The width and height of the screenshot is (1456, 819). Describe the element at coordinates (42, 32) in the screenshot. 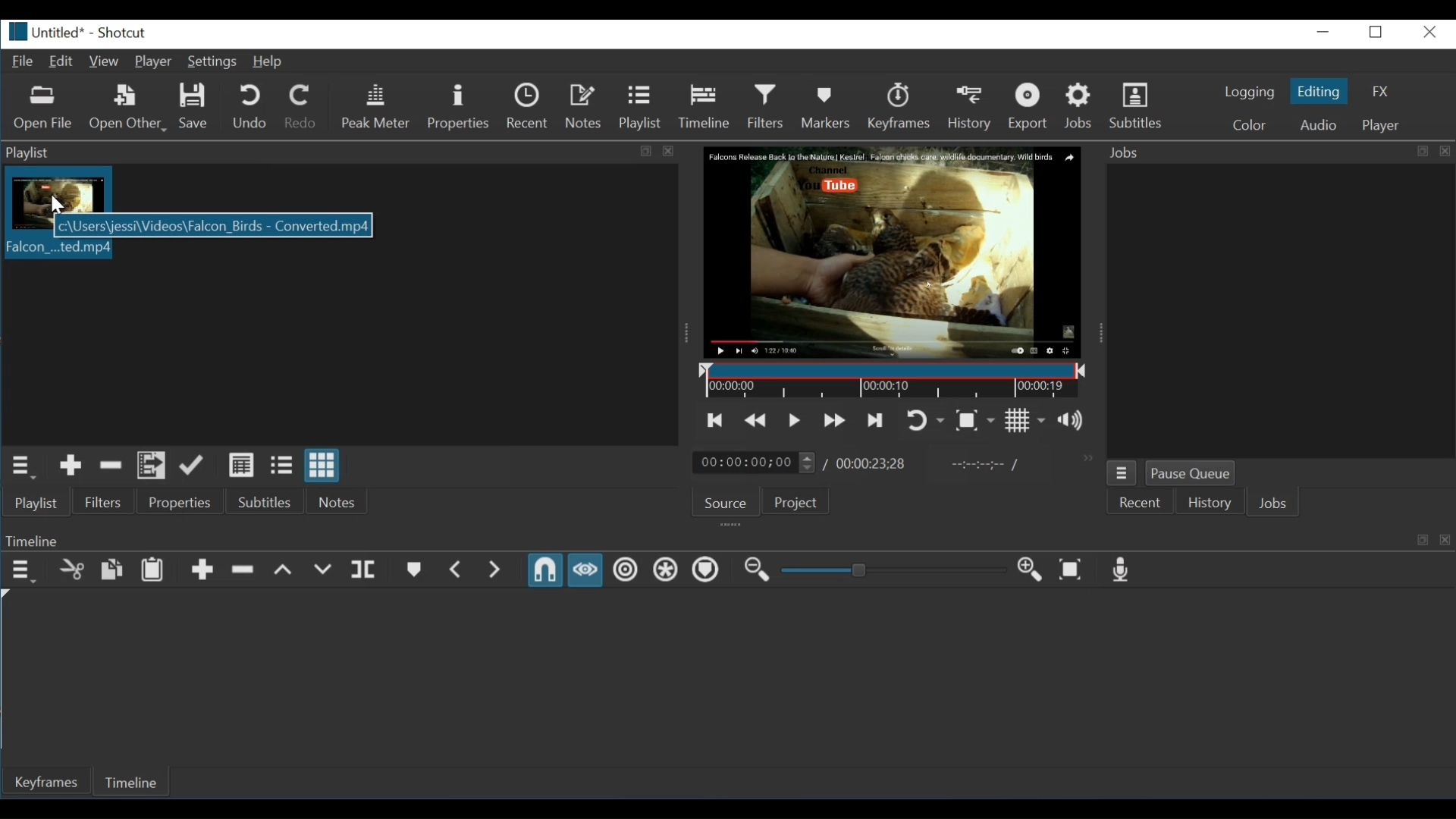

I see `File name` at that location.